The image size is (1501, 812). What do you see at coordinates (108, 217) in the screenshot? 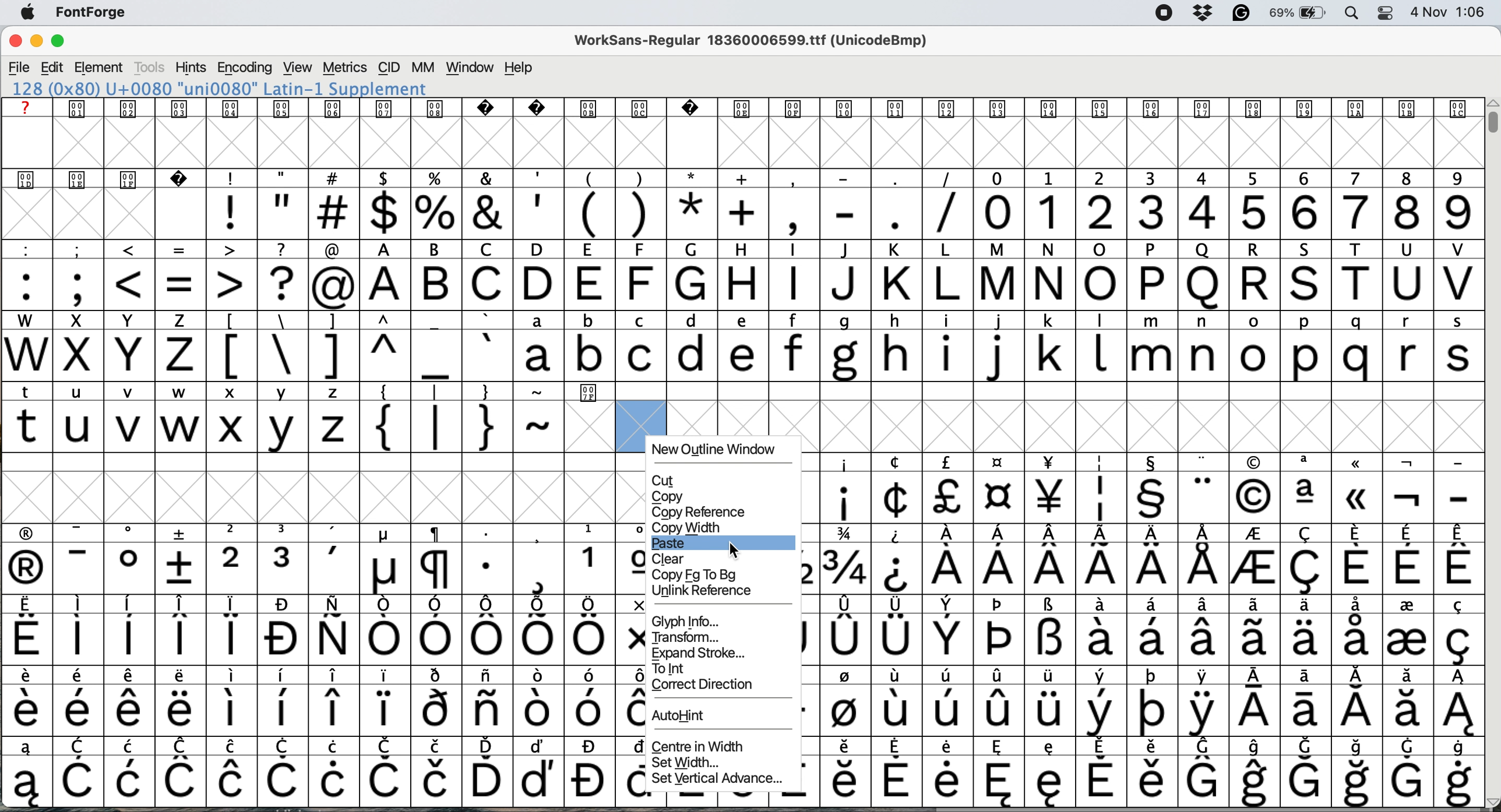
I see `glyph grid` at bounding box center [108, 217].